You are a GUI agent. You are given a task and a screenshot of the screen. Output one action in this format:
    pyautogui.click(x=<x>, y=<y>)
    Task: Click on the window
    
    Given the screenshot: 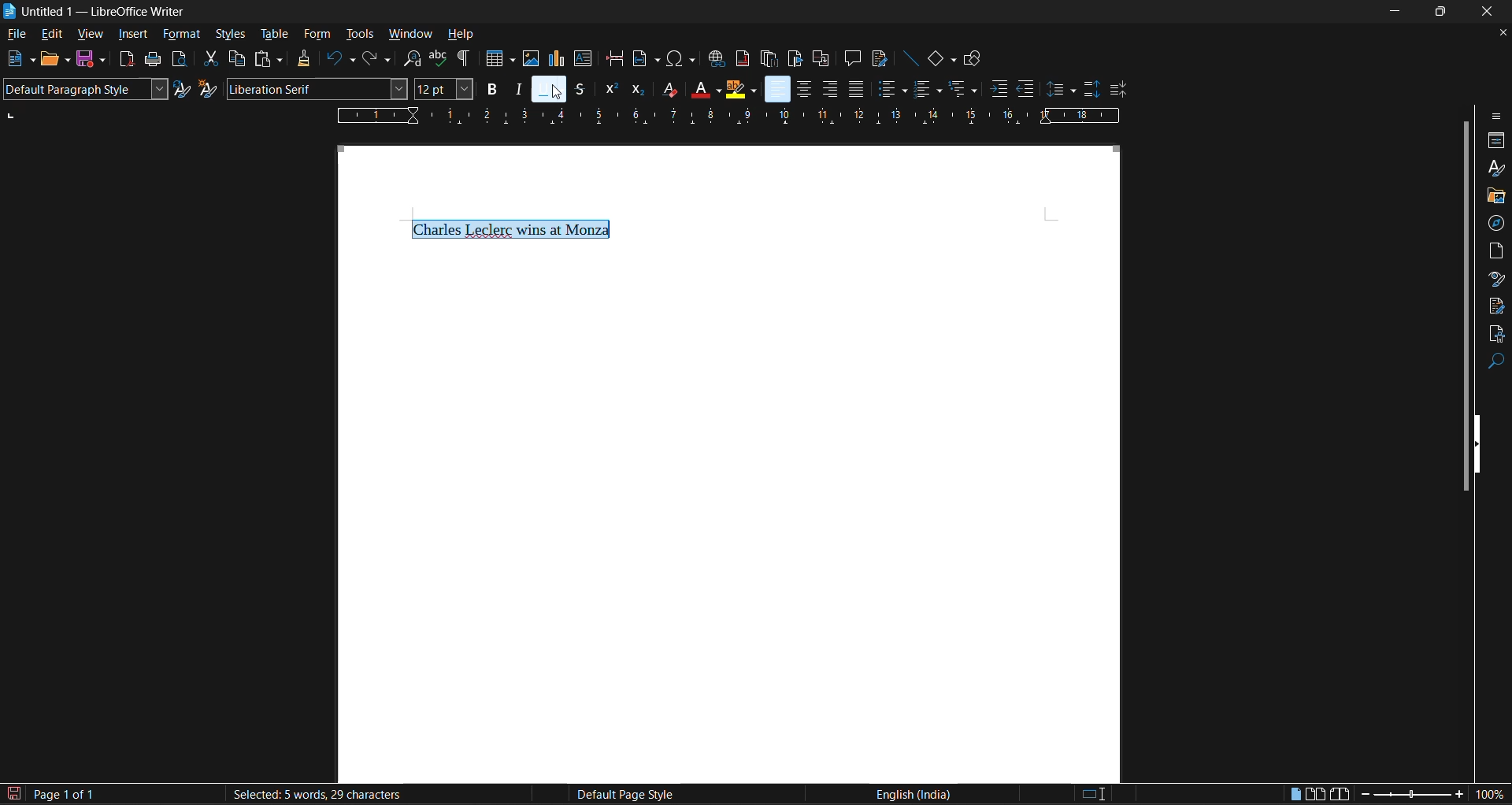 What is the action you would take?
    pyautogui.click(x=408, y=33)
    